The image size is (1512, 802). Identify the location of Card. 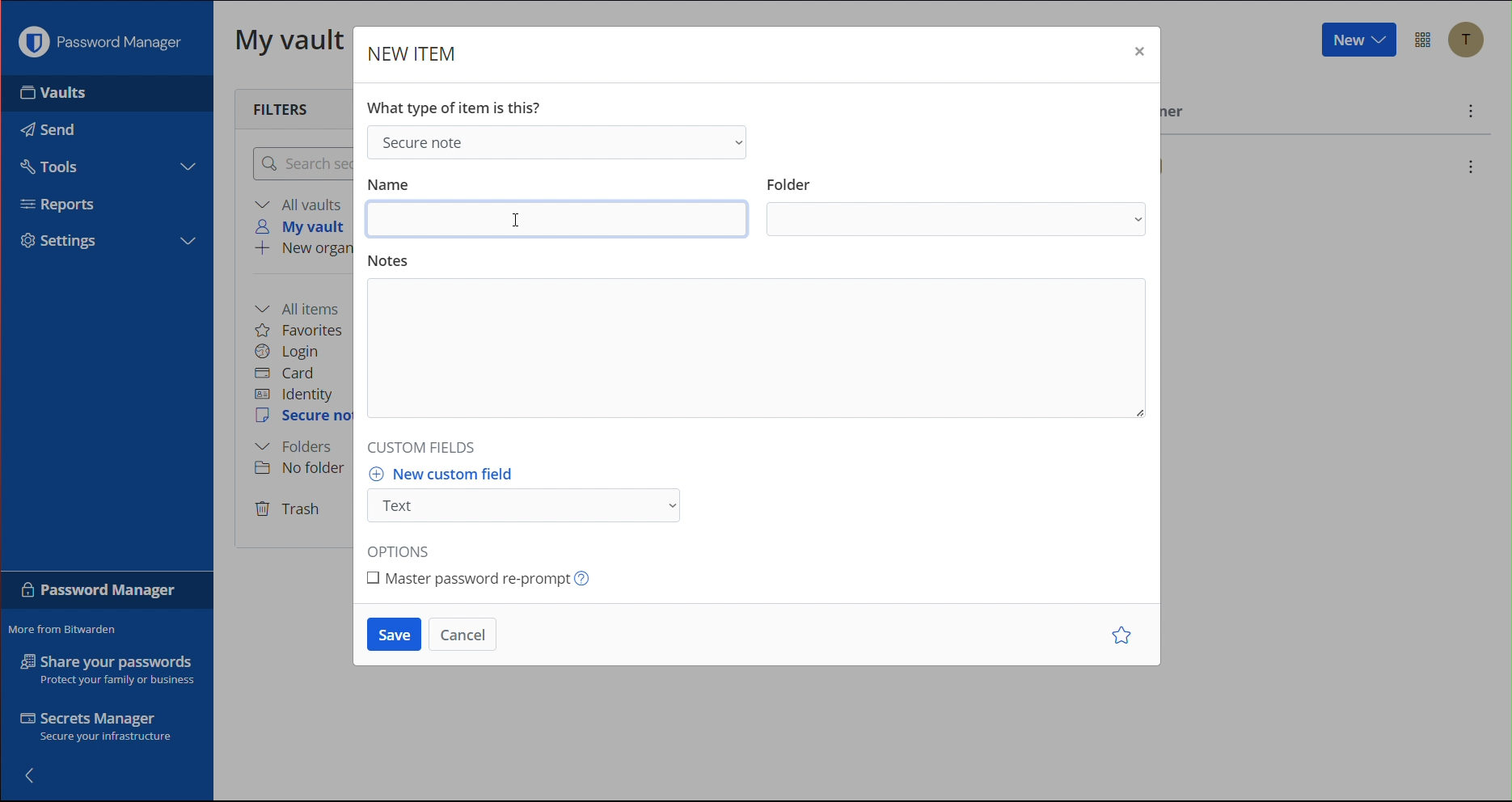
(285, 374).